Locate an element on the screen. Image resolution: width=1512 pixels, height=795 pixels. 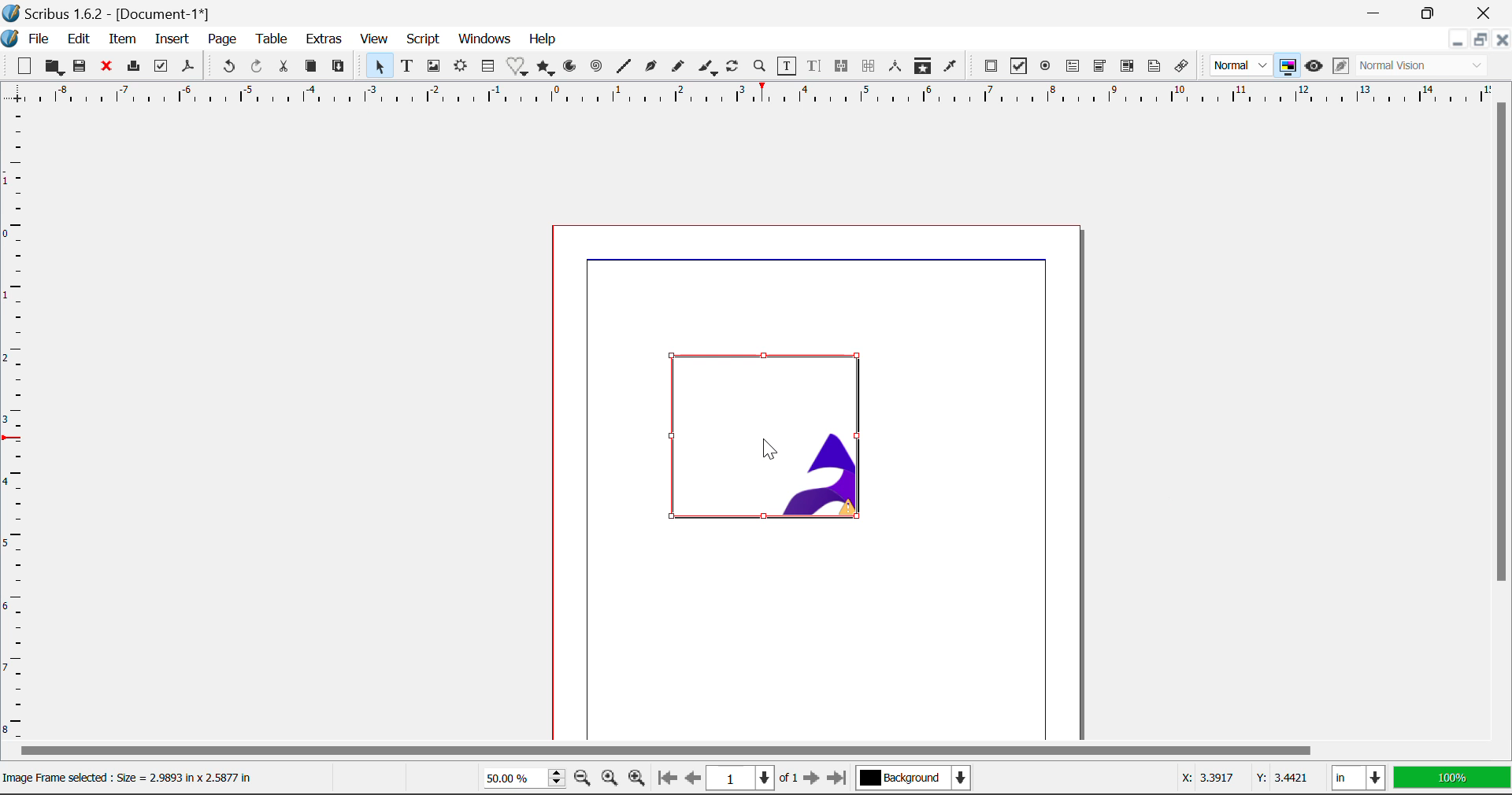
Pdf Listbox is located at coordinates (1116, 70).